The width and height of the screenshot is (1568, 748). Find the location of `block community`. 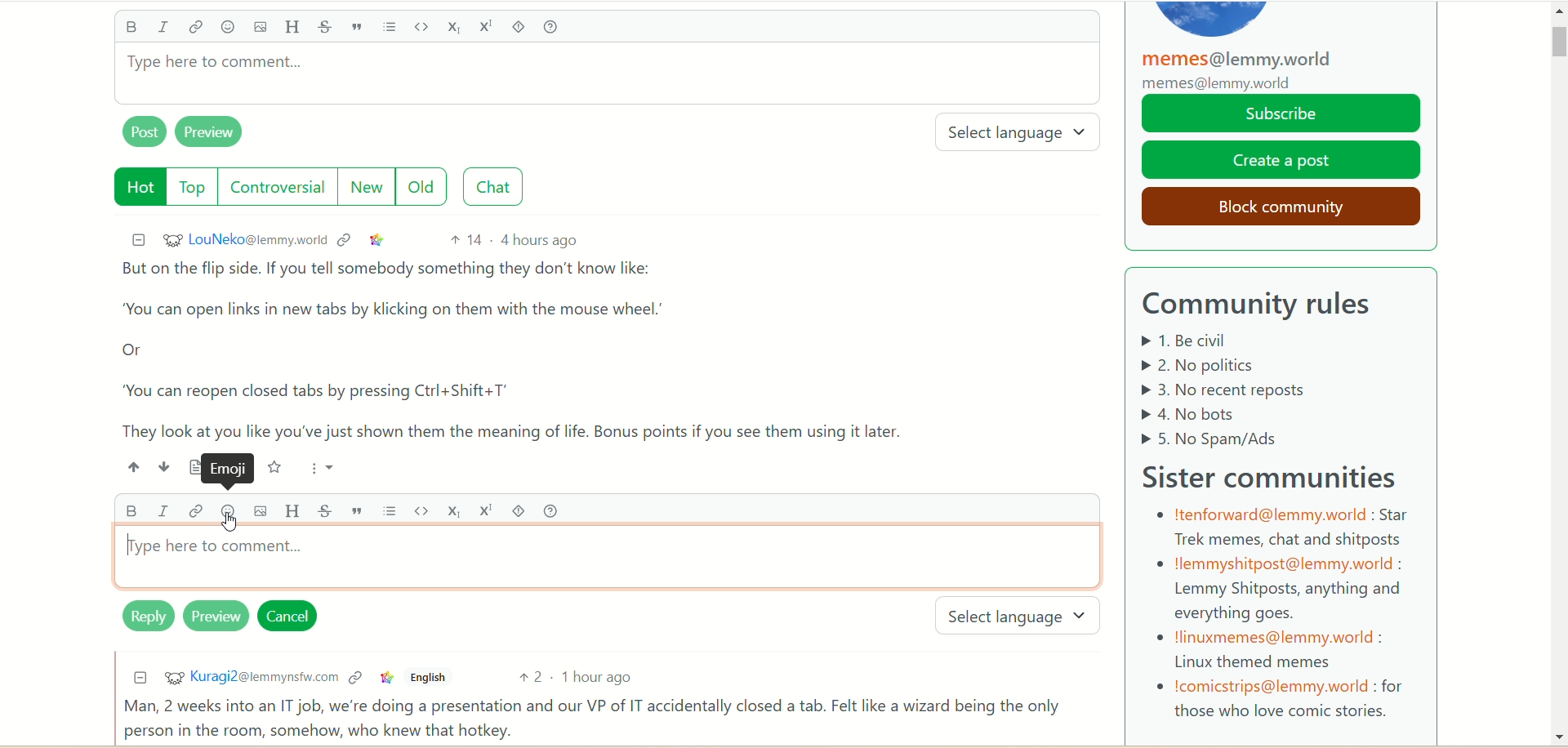

block community is located at coordinates (1275, 204).